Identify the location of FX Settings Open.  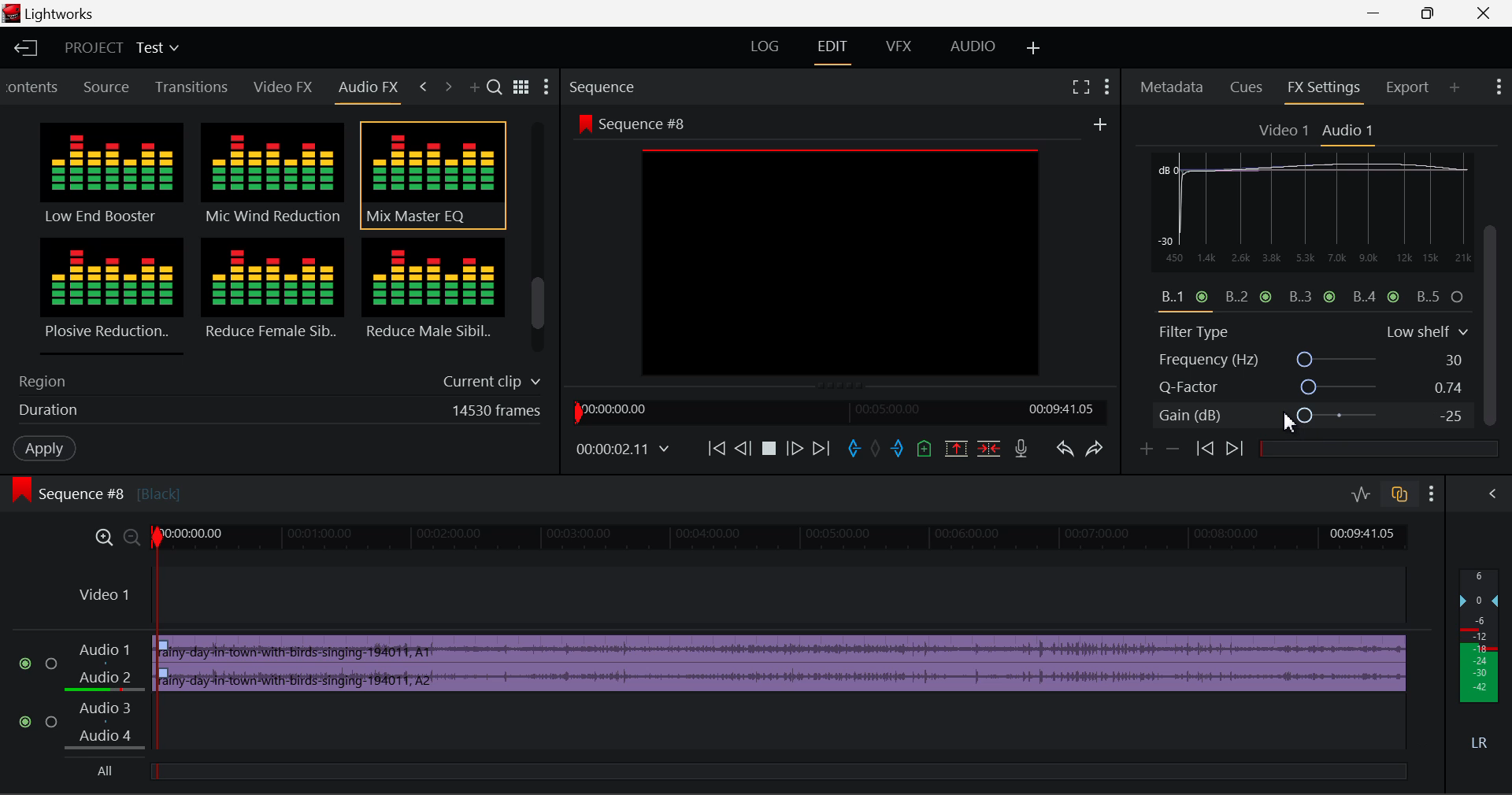
(1325, 91).